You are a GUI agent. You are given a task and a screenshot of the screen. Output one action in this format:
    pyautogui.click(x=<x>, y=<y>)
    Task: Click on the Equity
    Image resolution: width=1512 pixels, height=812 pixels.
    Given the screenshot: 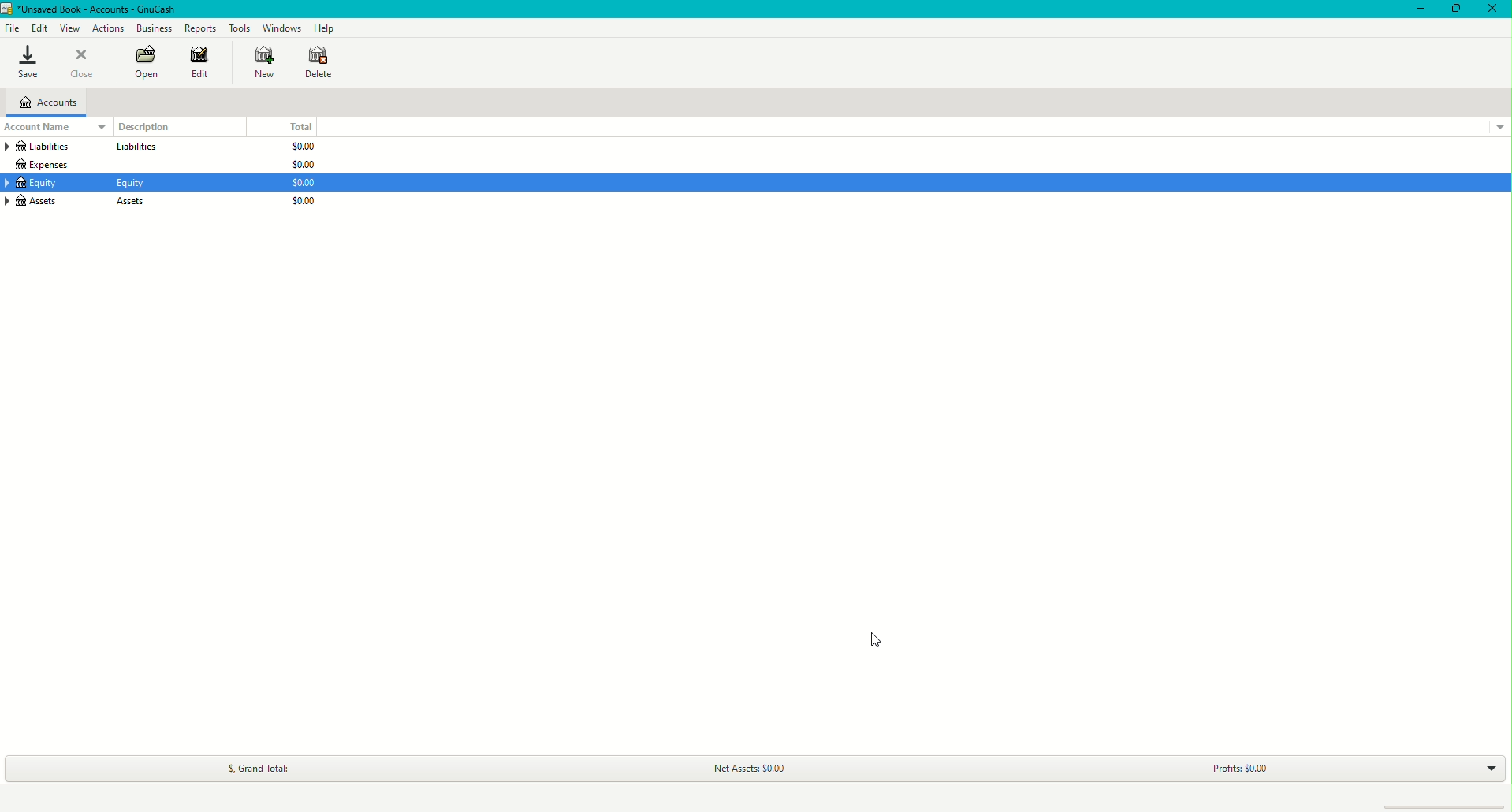 What is the action you would take?
    pyautogui.click(x=43, y=202)
    